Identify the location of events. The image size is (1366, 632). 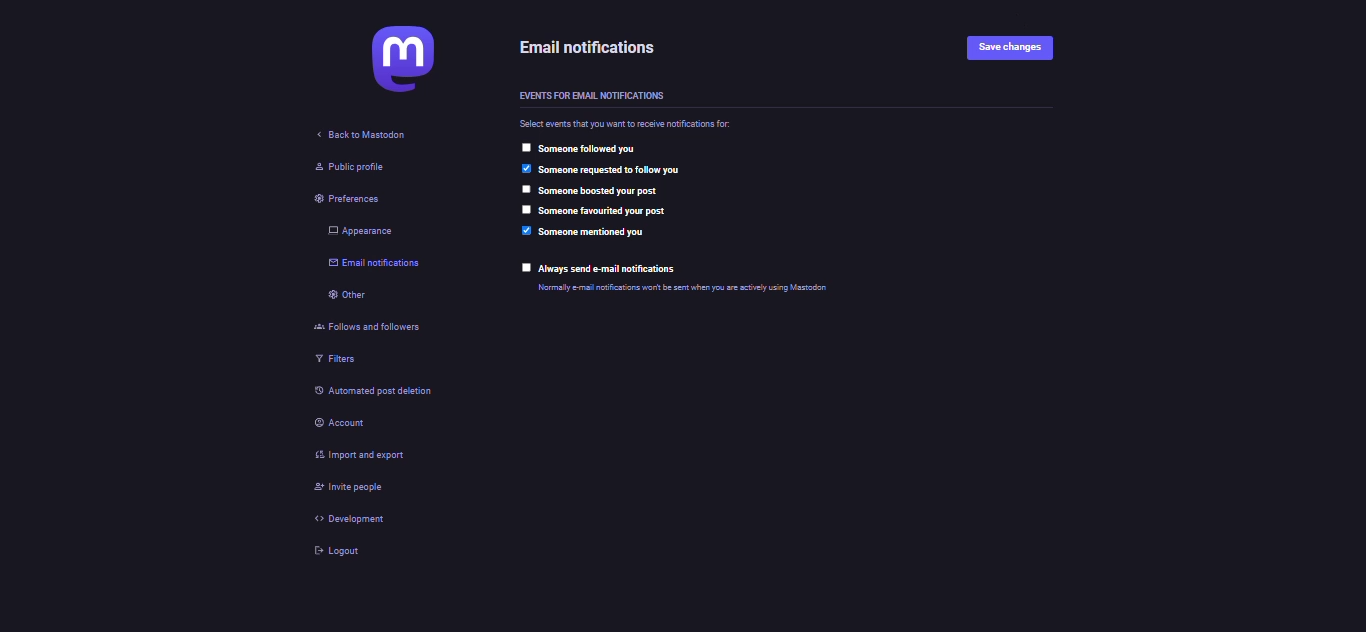
(590, 95).